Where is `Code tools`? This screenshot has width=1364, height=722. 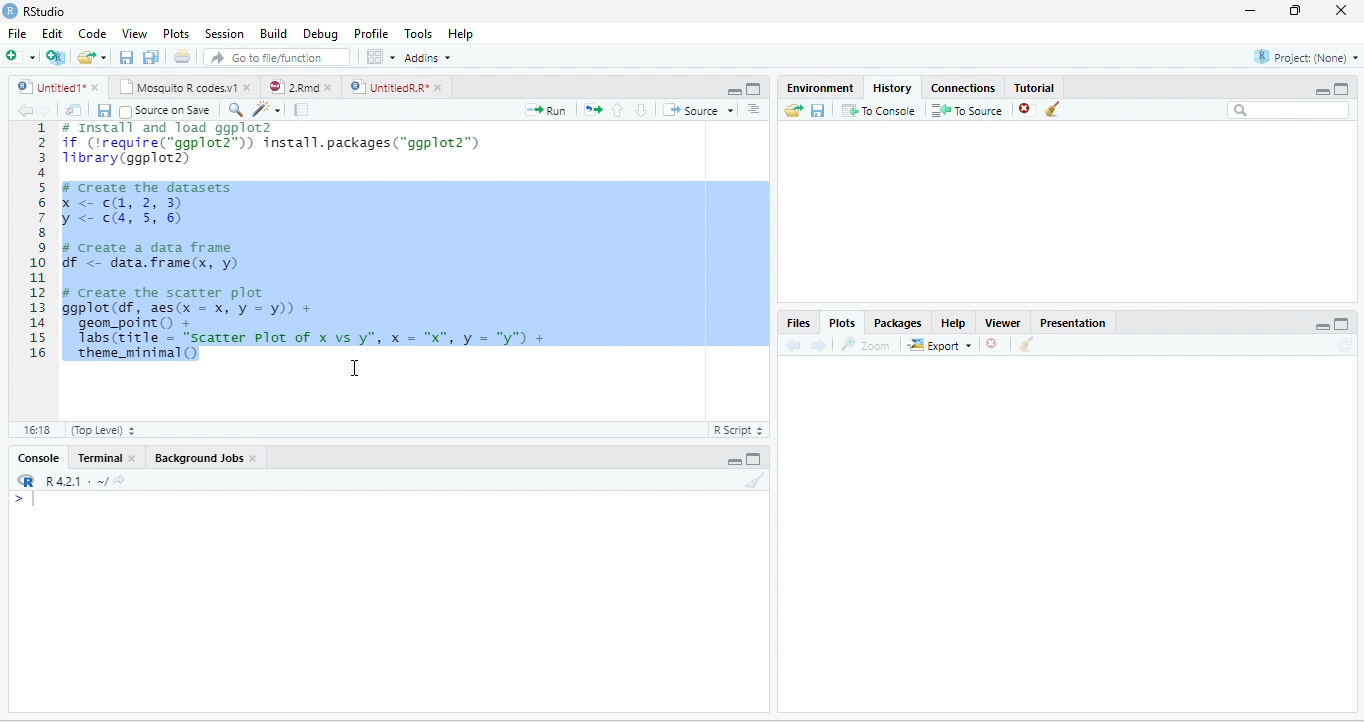 Code tools is located at coordinates (268, 110).